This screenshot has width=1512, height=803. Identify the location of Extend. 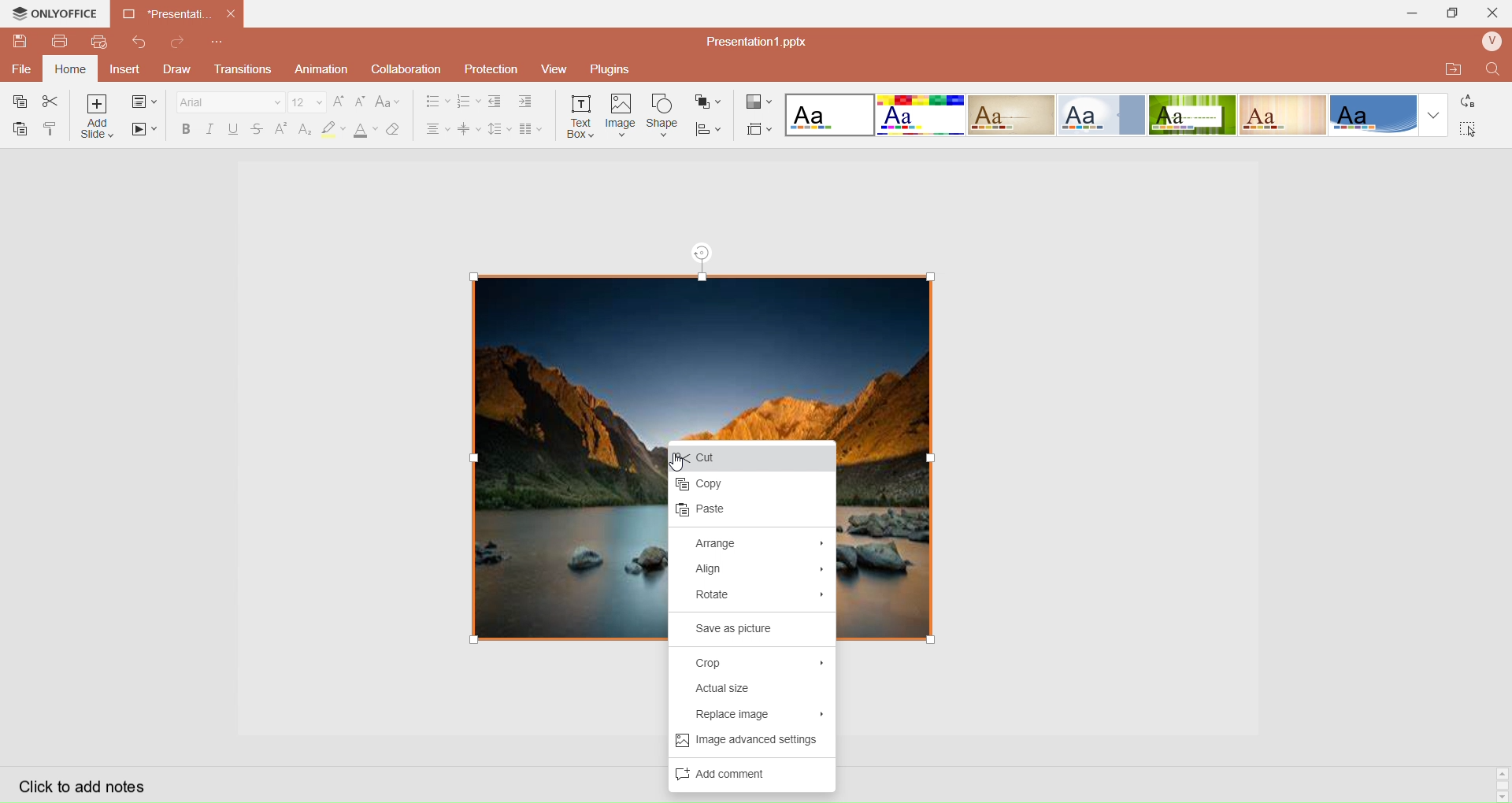
(1460, 12).